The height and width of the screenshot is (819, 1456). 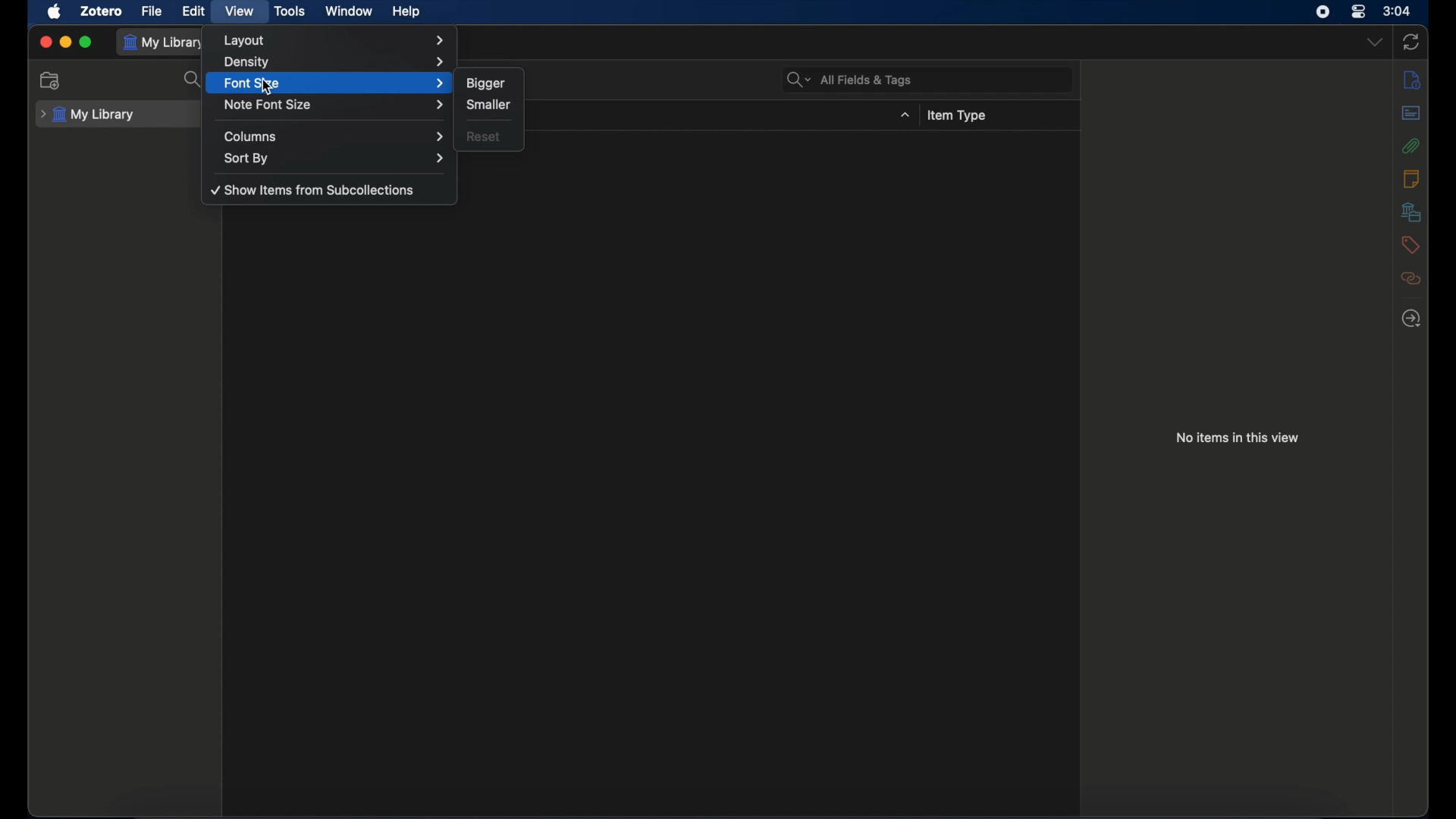 I want to click on my library, so click(x=87, y=115).